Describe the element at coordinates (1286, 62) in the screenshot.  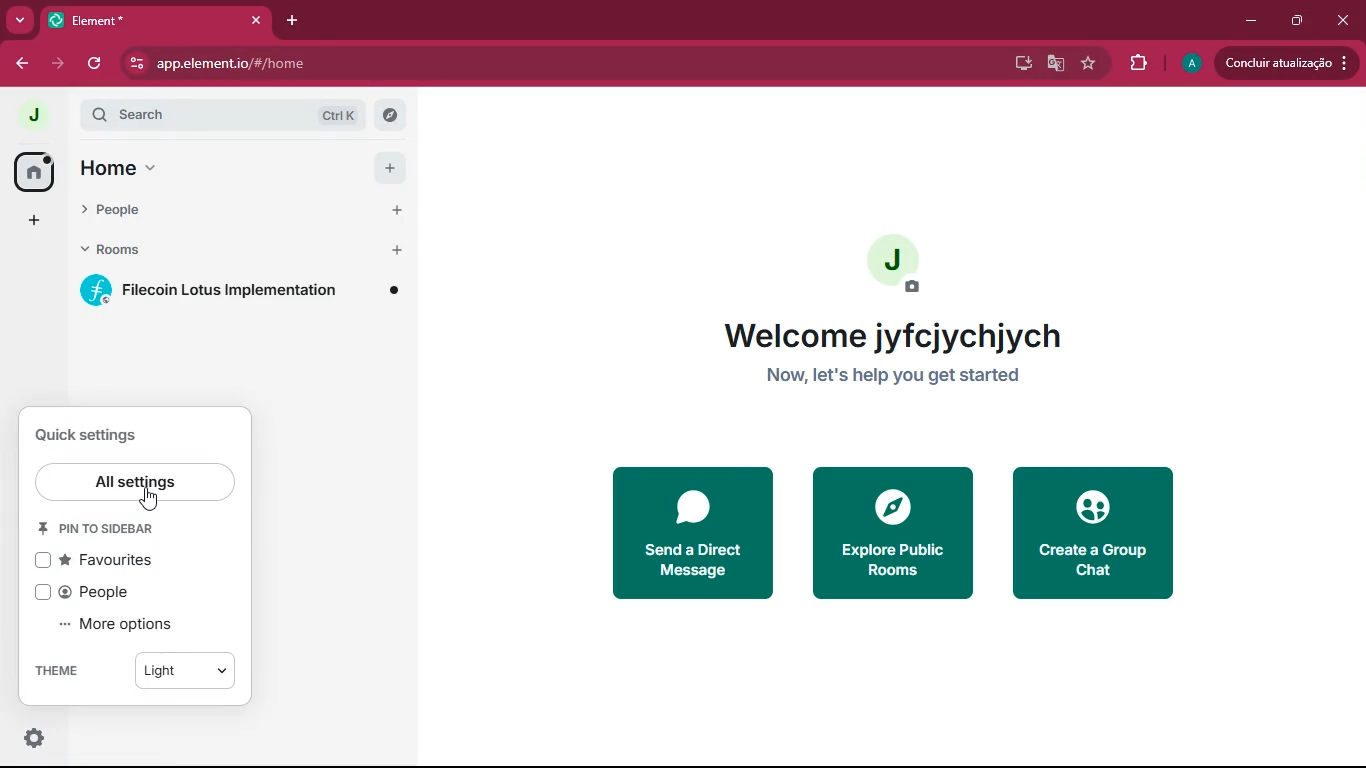
I see `concluir atualizacao` at that location.